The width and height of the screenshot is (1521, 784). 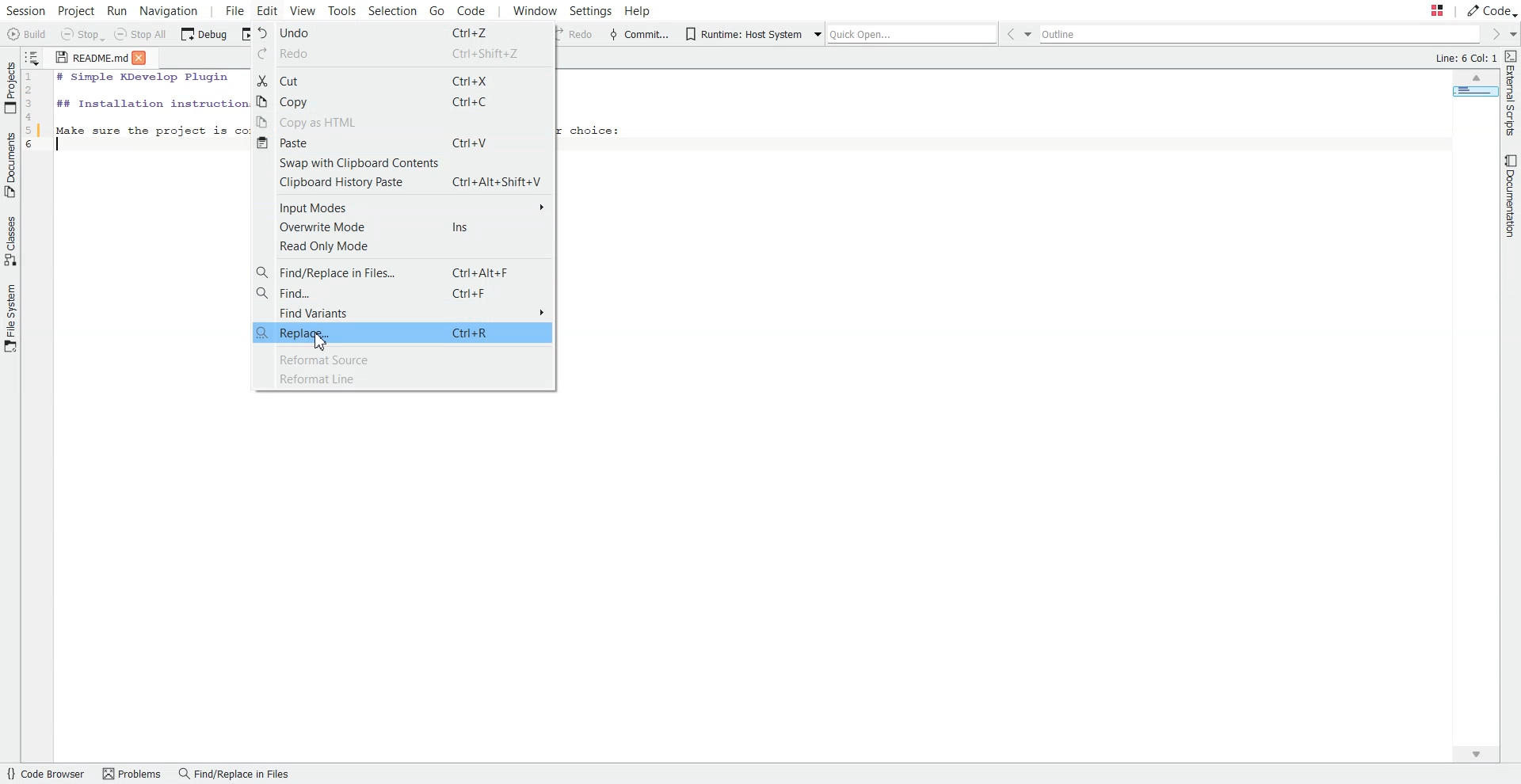 What do you see at coordinates (1511, 93) in the screenshot?
I see `External Scripts` at bounding box center [1511, 93].